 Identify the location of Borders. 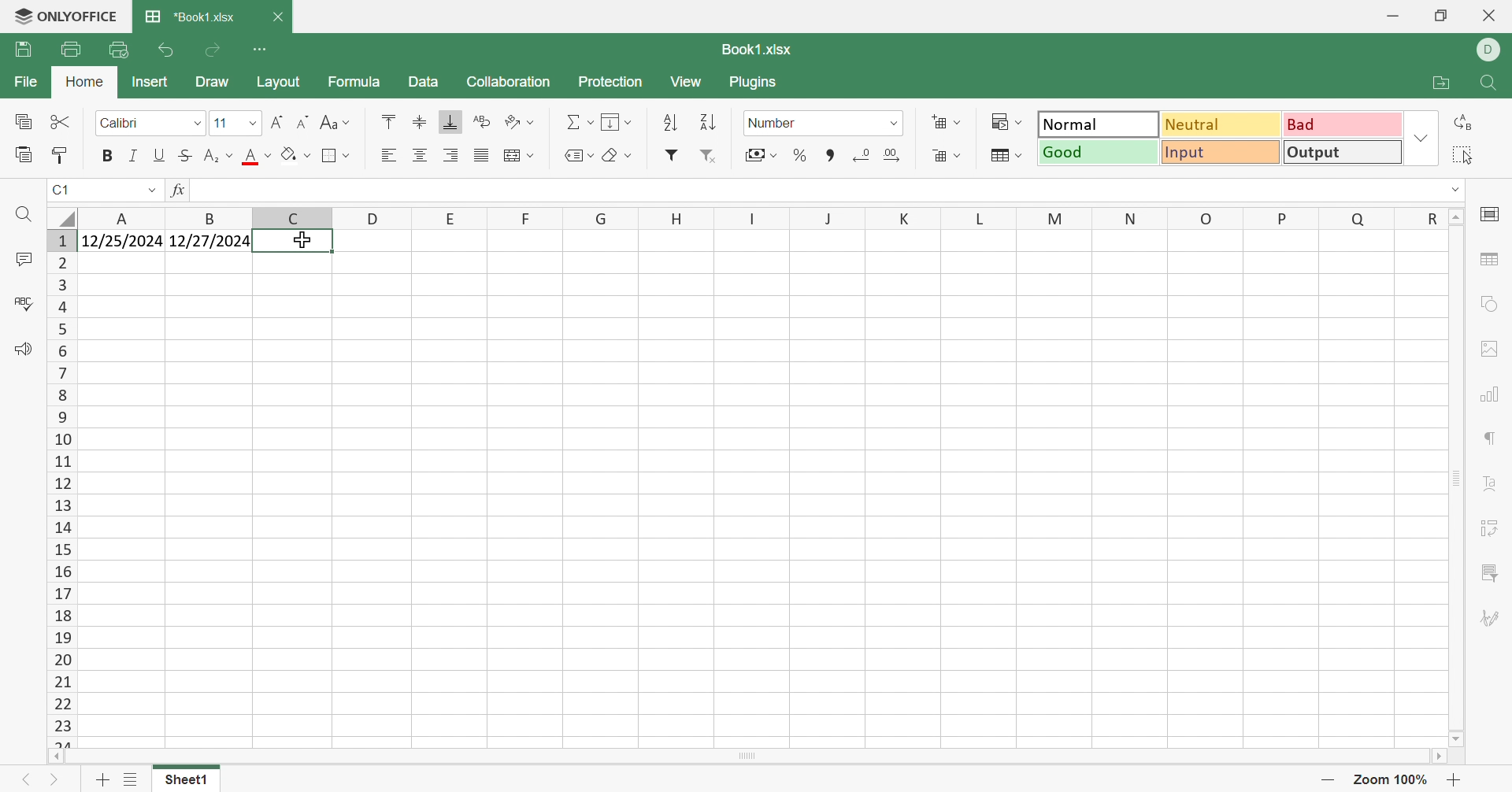
(335, 157).